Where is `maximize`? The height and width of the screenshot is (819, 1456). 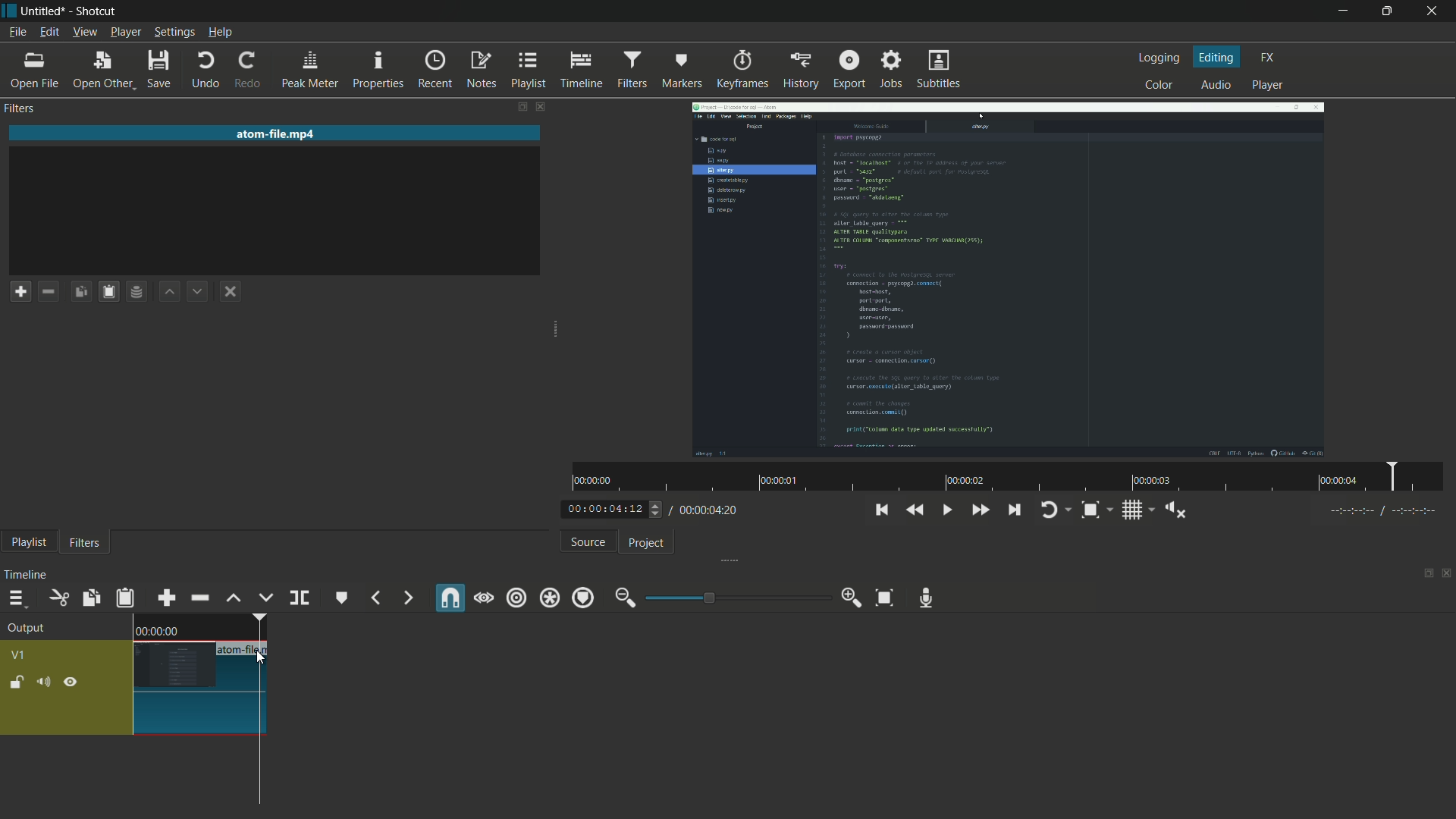 maximize is located at coordinates (1390, 11).